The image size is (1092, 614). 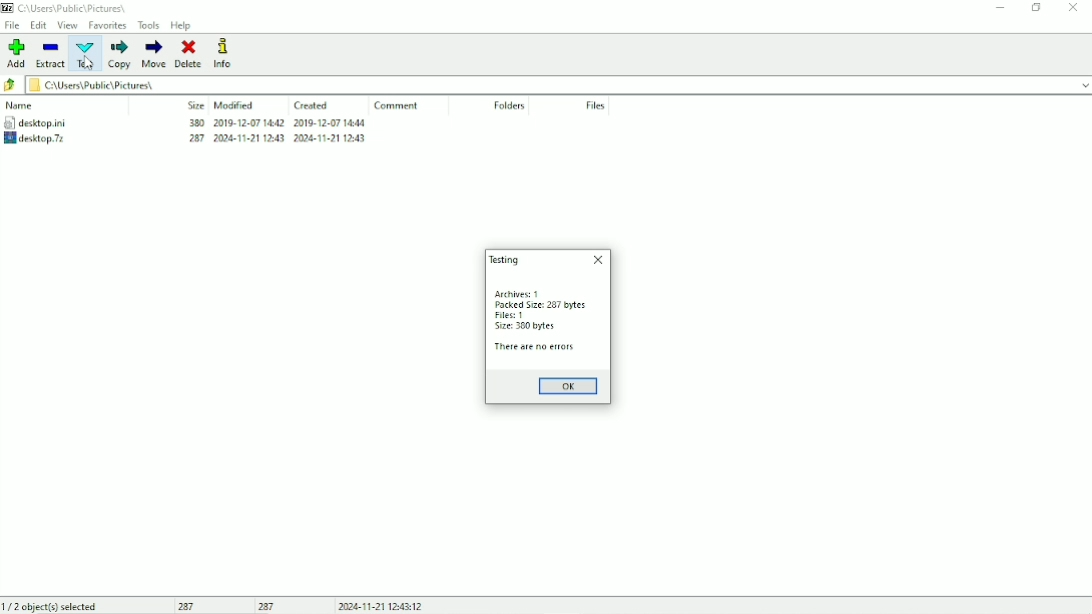 I want to click on Size, so click(x=504, y=328).